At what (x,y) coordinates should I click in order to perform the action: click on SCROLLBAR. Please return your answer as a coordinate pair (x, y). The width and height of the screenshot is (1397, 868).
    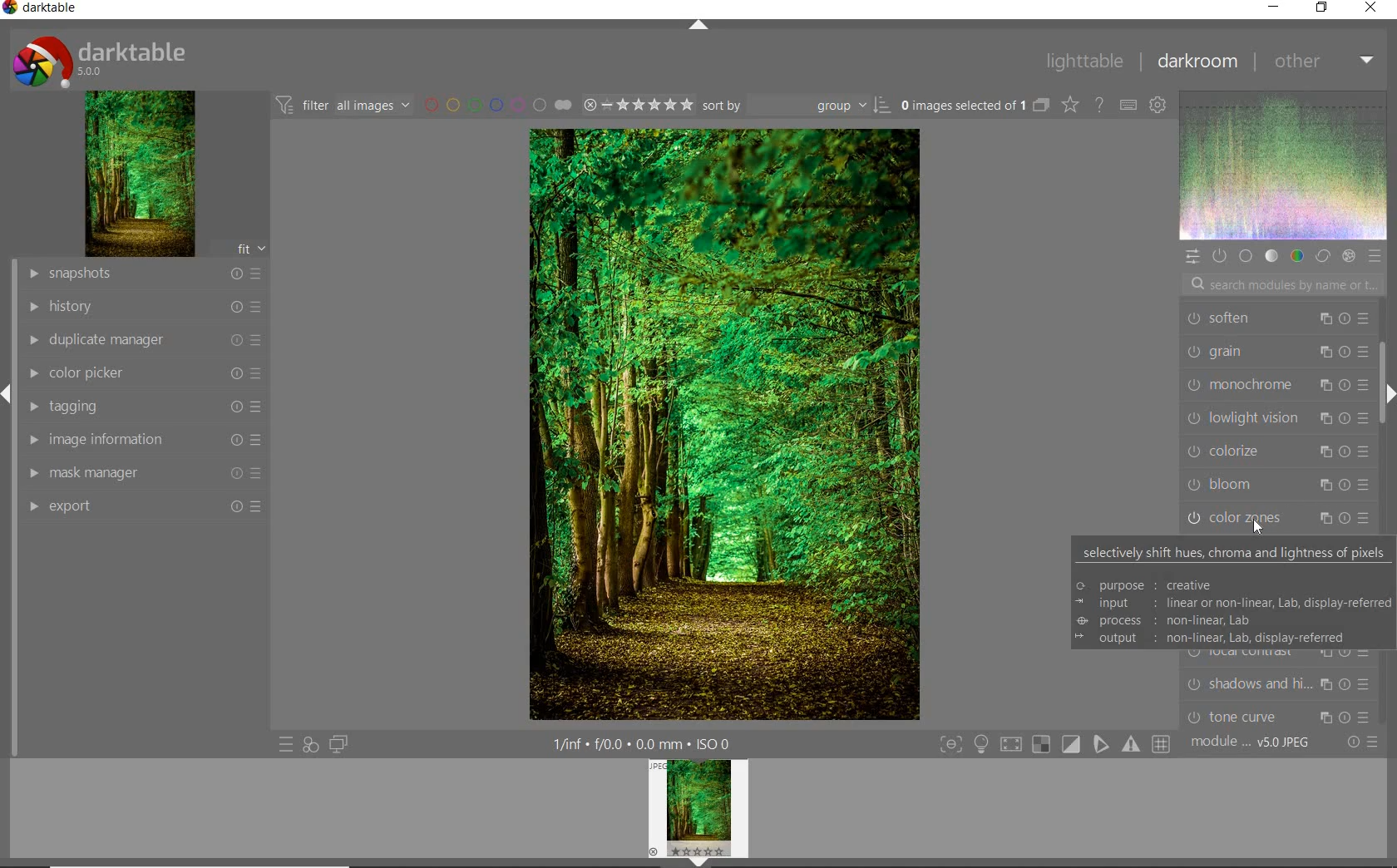
    Looking at the image, I should click on (1386, 361).